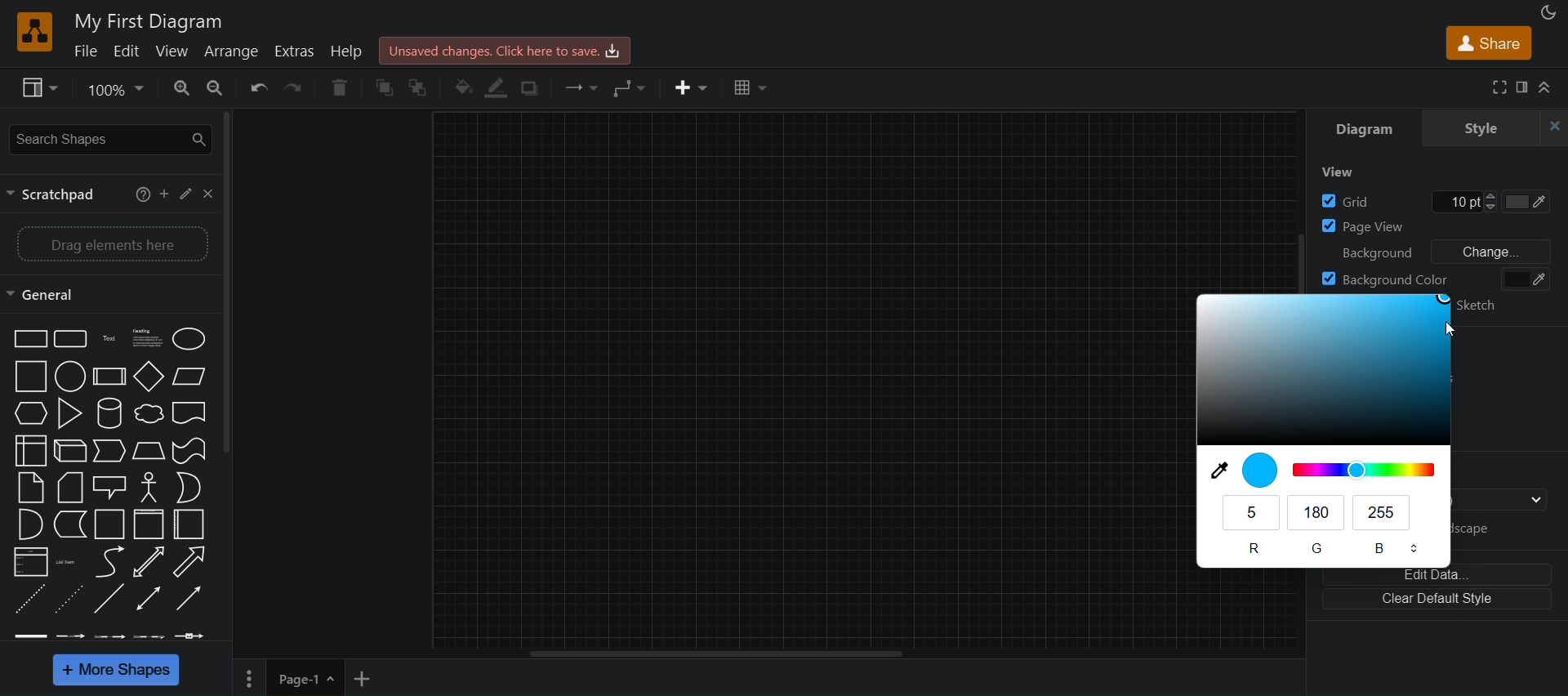  Describe the element at coordinates (1497, 308) in the screenshot. I see `sketch` at that location.